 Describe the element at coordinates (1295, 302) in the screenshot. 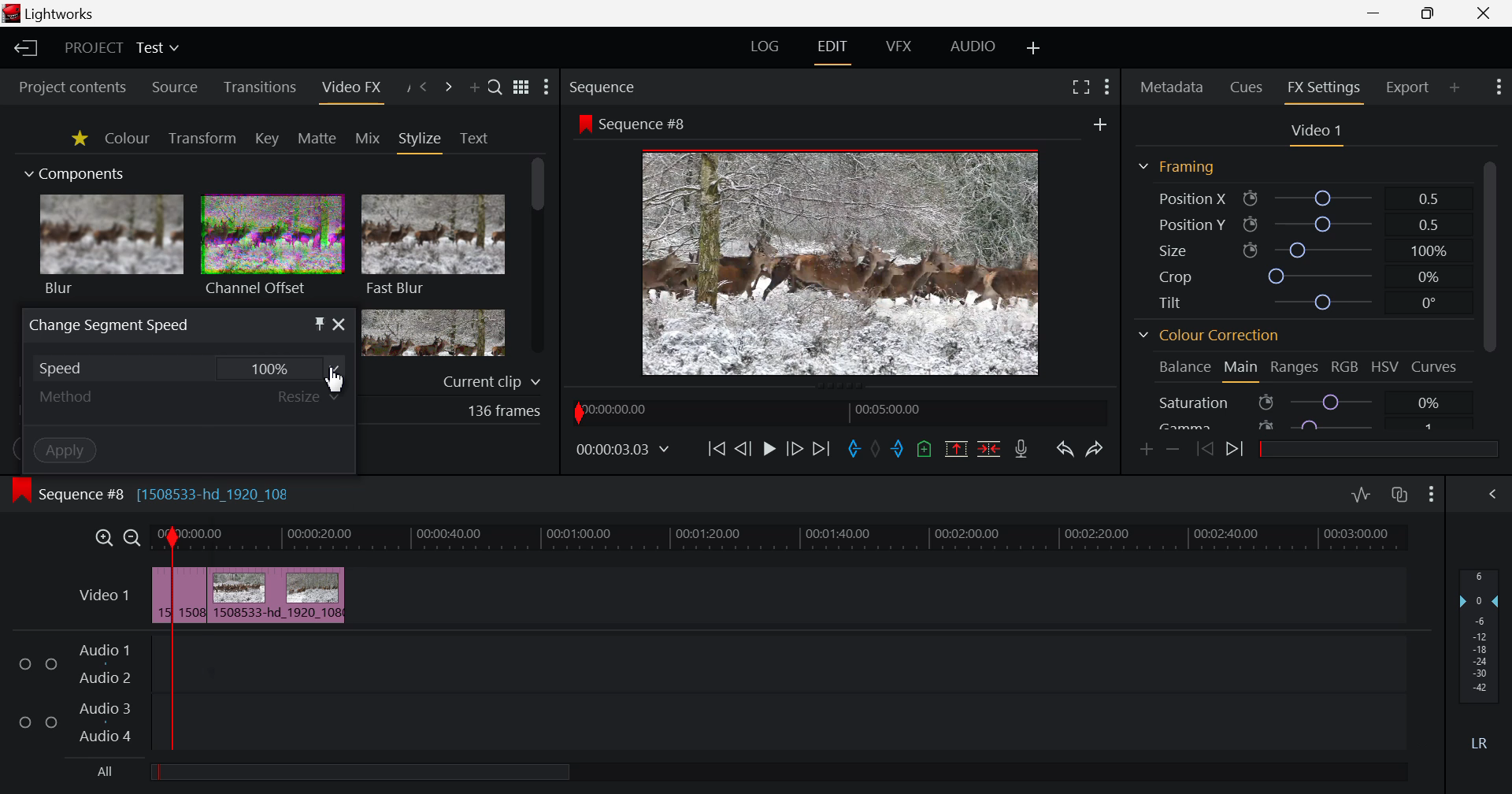

I see `Tilt` at that location.